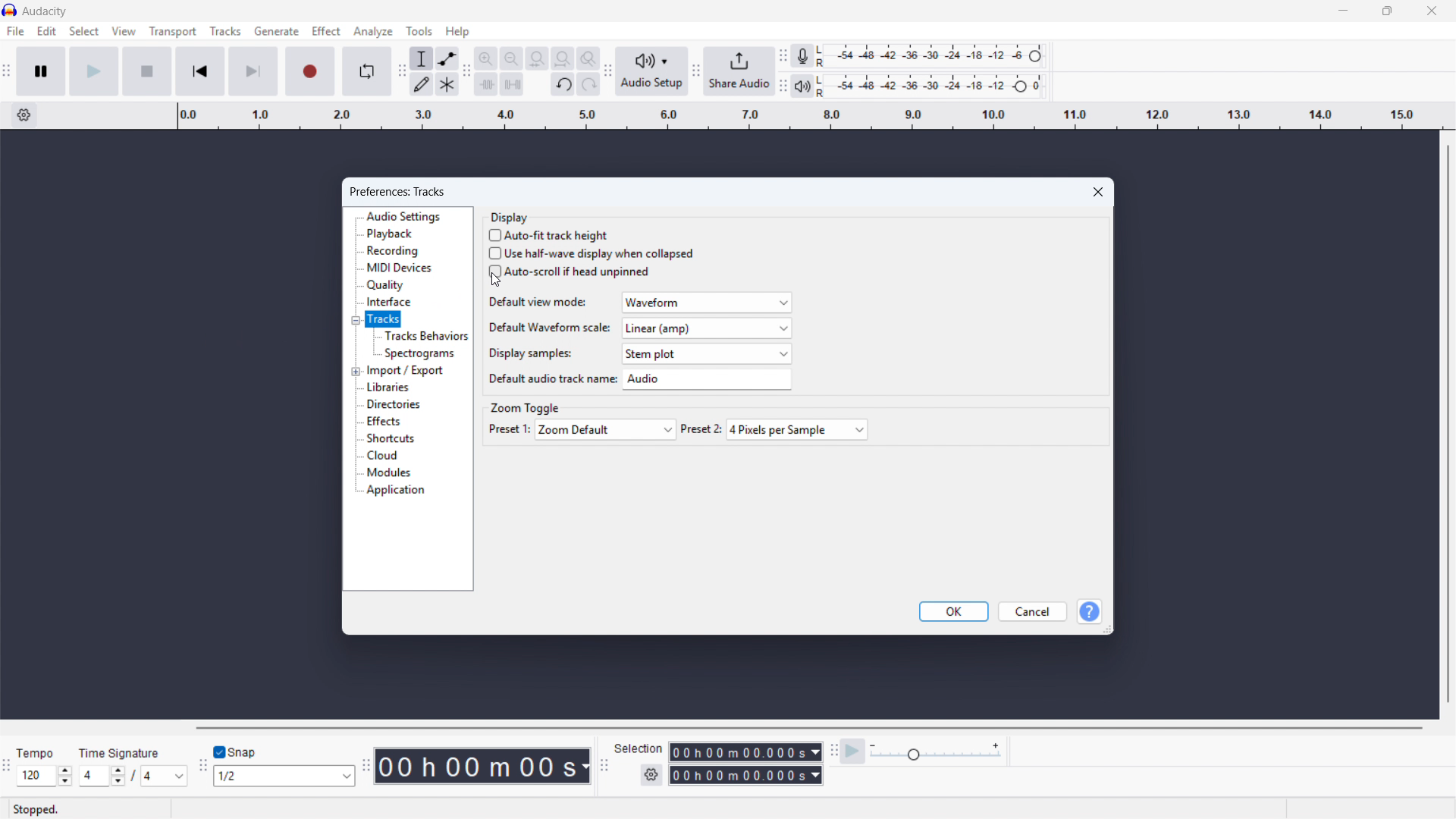 The height and width of the screenshot is (819, 1456). Describe the element at coordinates (309, 71) in the screenshot. I see `record` at that location.